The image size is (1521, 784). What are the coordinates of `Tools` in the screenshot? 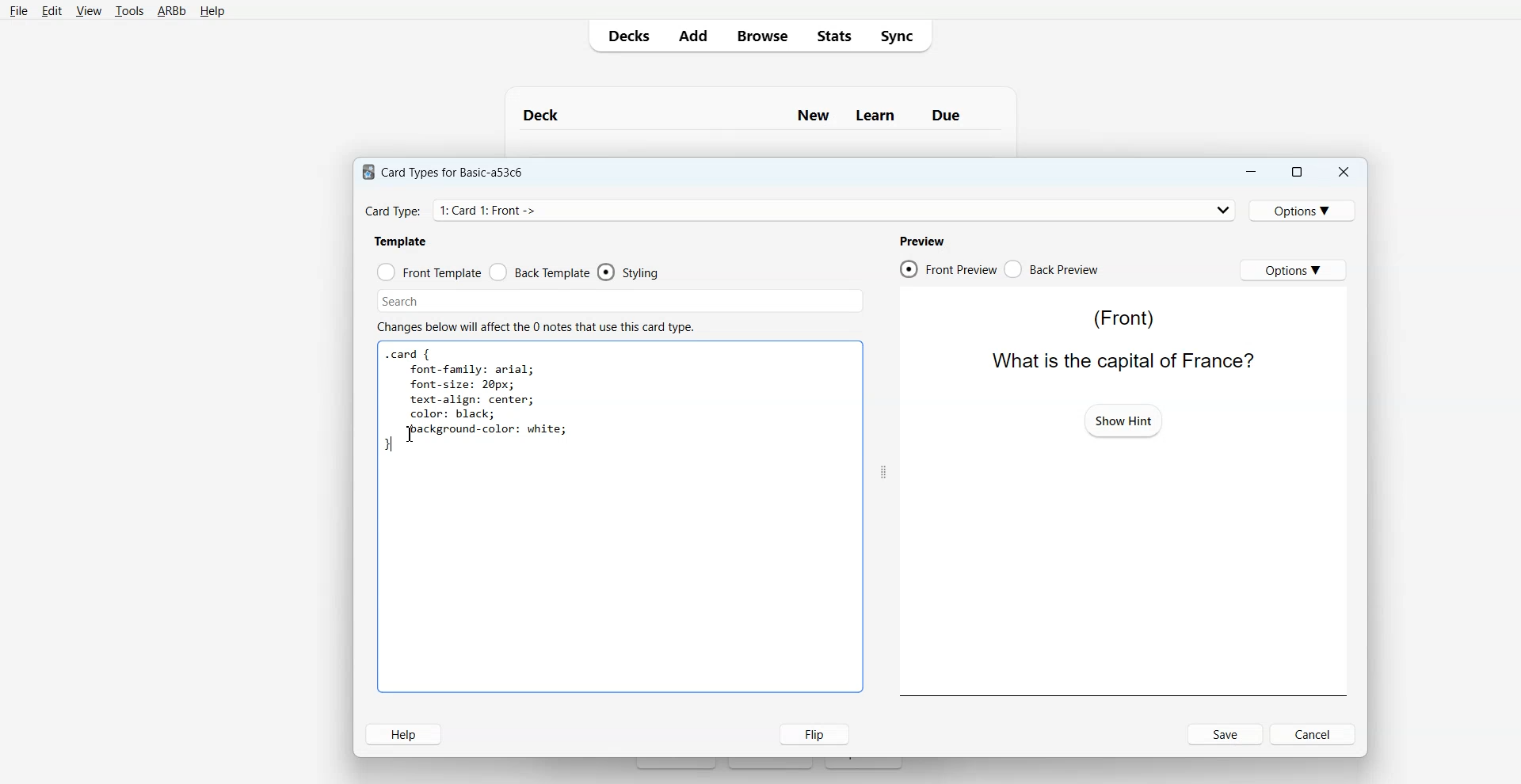 It's located at (129, 12).